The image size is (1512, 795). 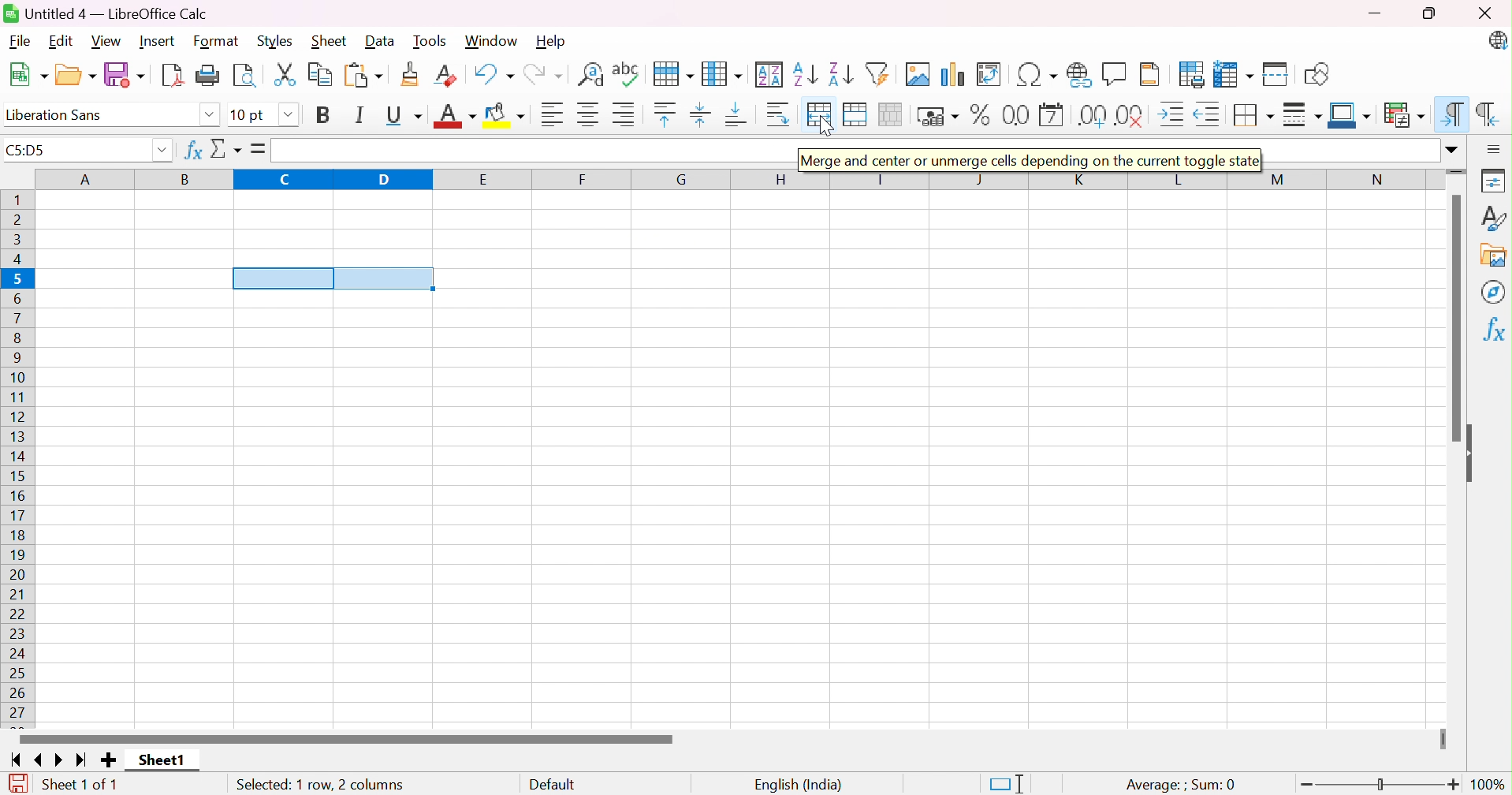 What do you see at coordinates (20, 455) in the screenshot?
I see `Row Number` at bounding box center [20, 455].